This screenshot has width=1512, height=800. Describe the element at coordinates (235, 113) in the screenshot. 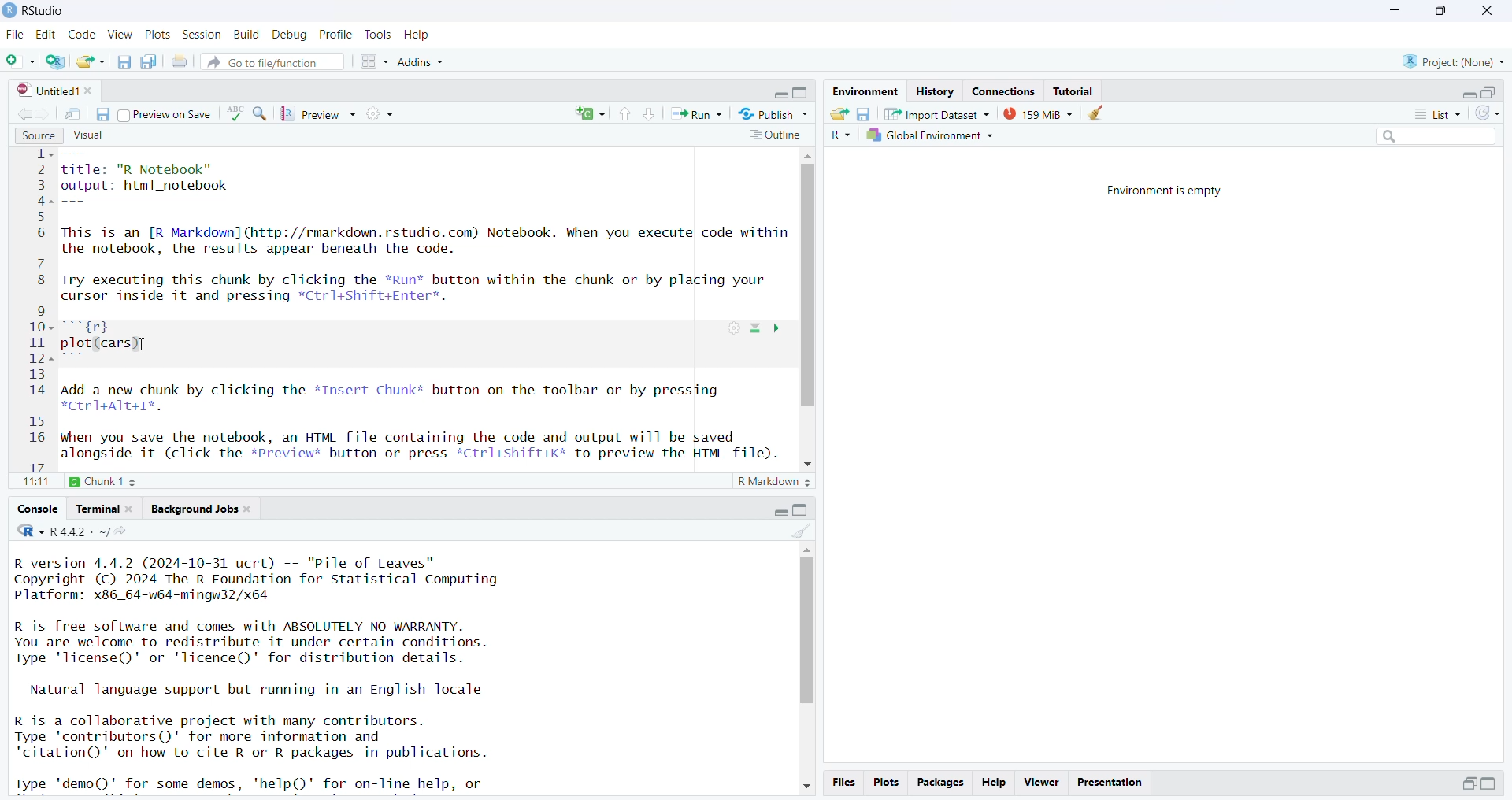

I see `language` at that location.